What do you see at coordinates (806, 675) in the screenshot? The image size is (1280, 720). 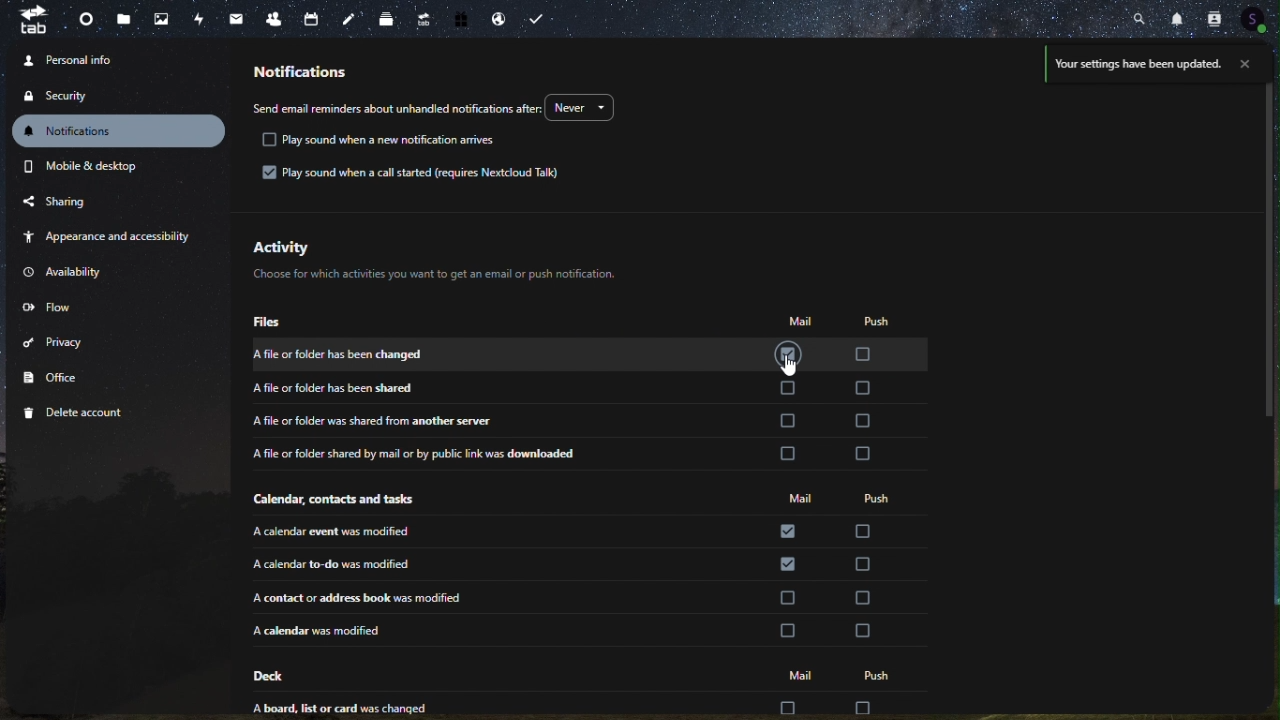 I see `mail` at bounding box center [806, 675].